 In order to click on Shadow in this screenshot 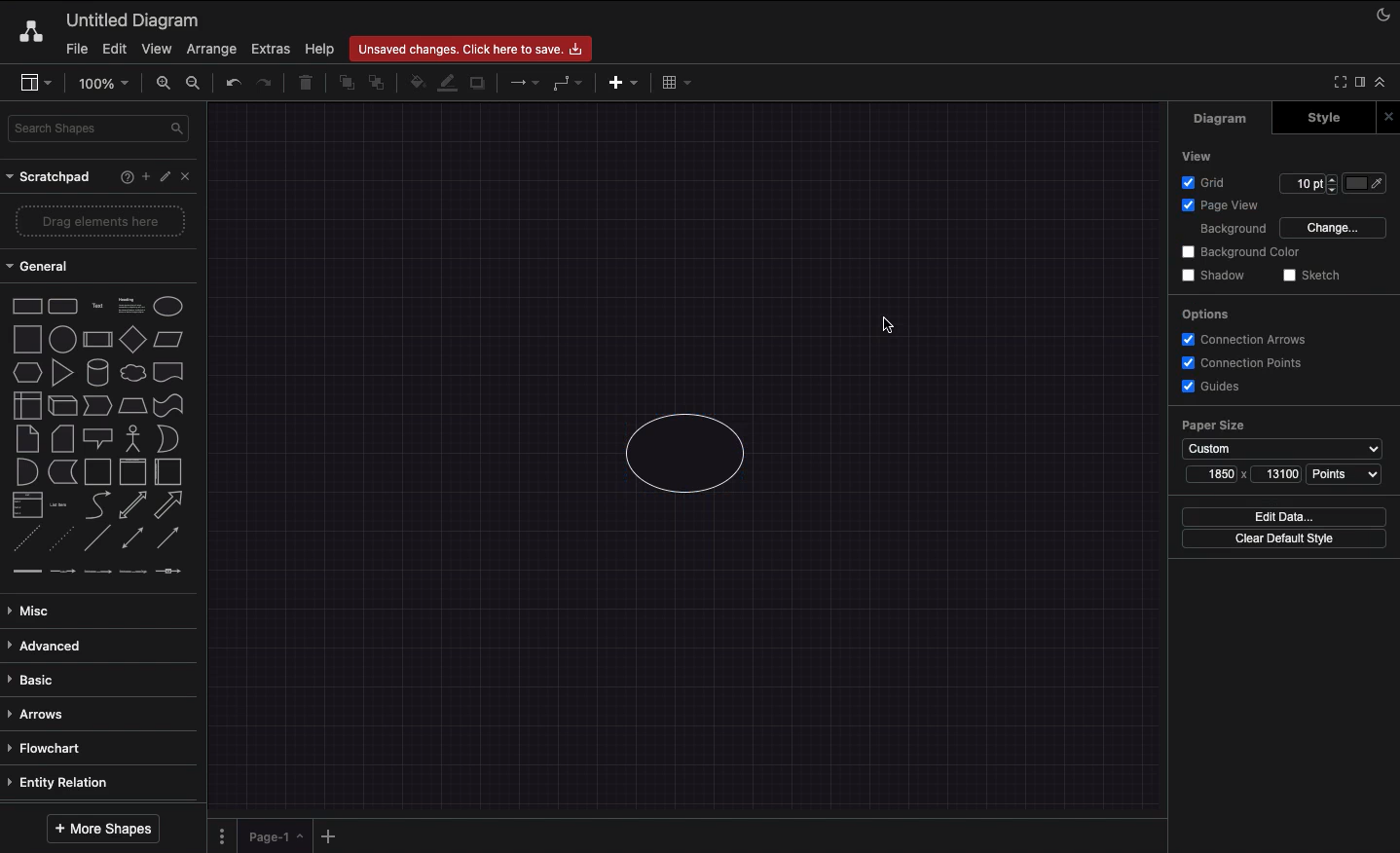, I will do `click(1213, 275)`.